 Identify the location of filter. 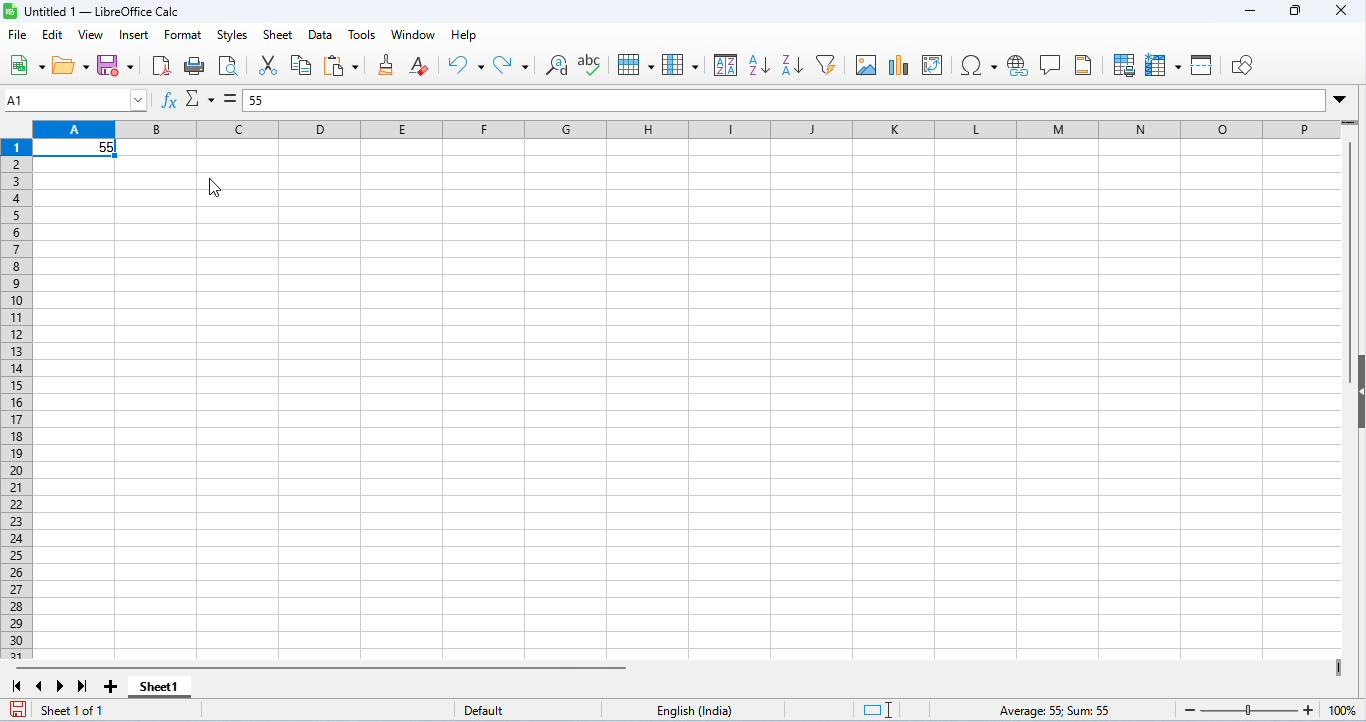
(827, 65).